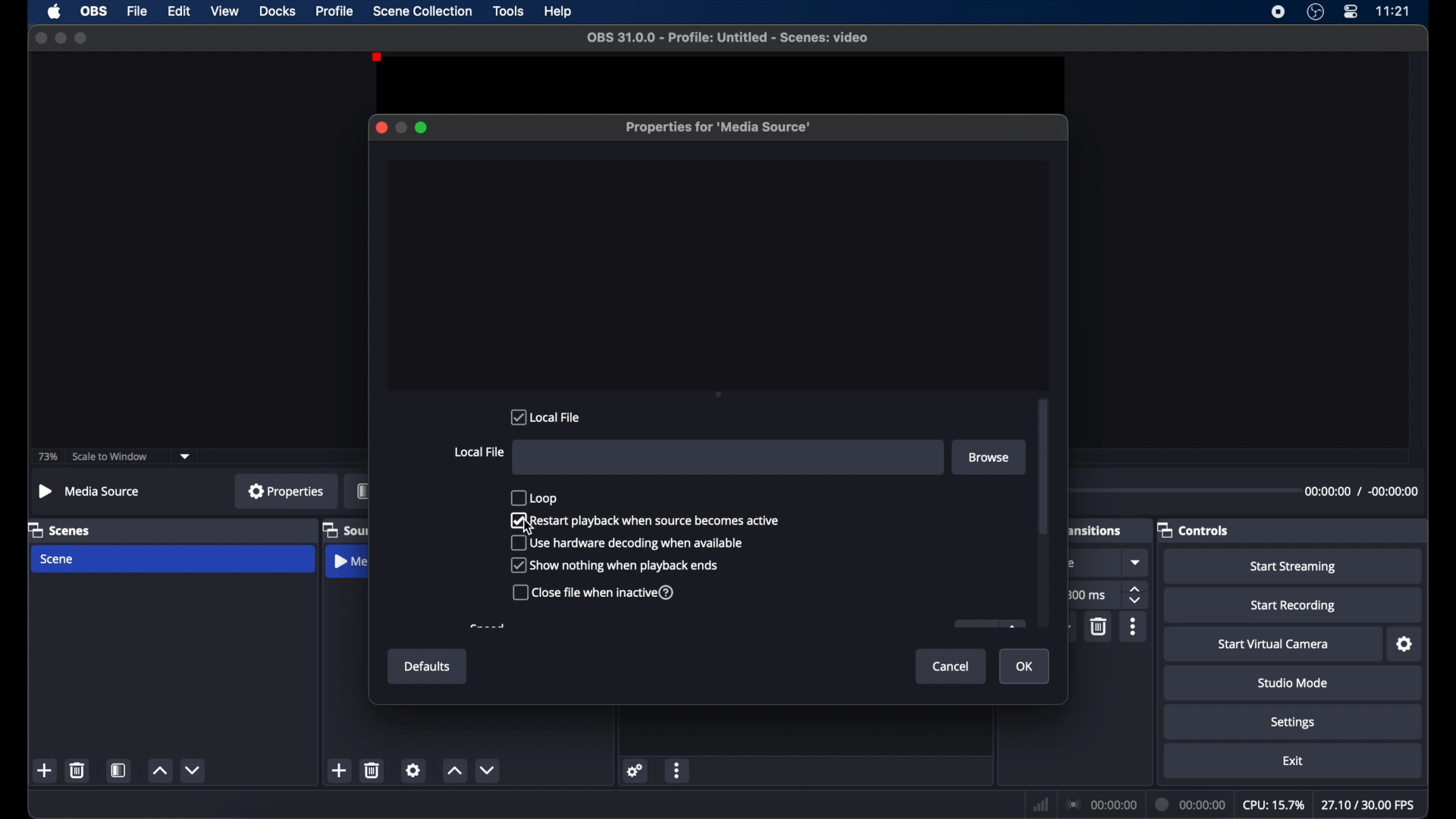 This screenshot has height=819, width=1456. Describe the element at coordinates (677, 770) in the screenshot. I see `more options` at that location.